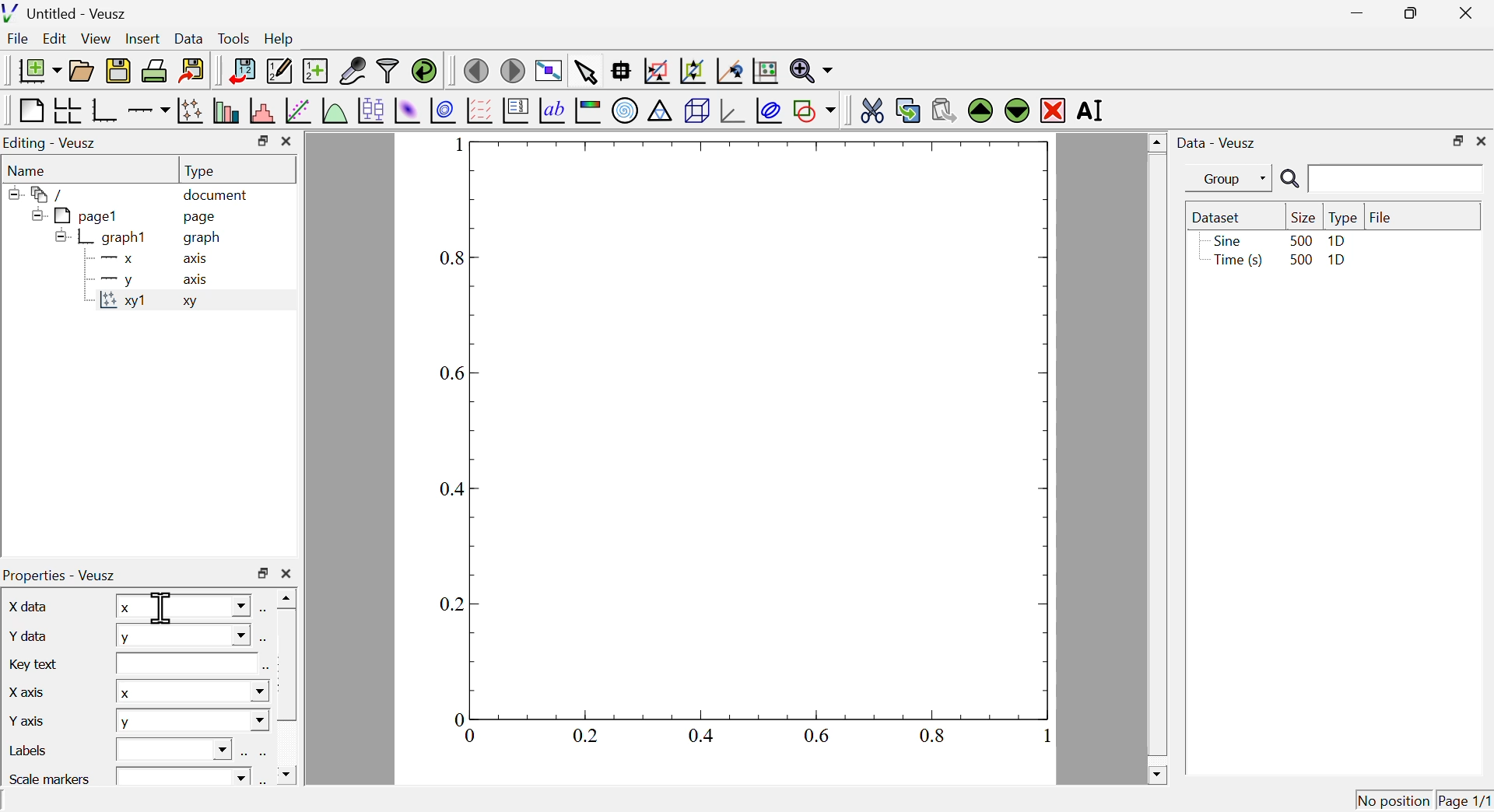 Image resolution: width=1494 pixels, height=812 pixels. I want to click on plot box plots, so click(370, 109).